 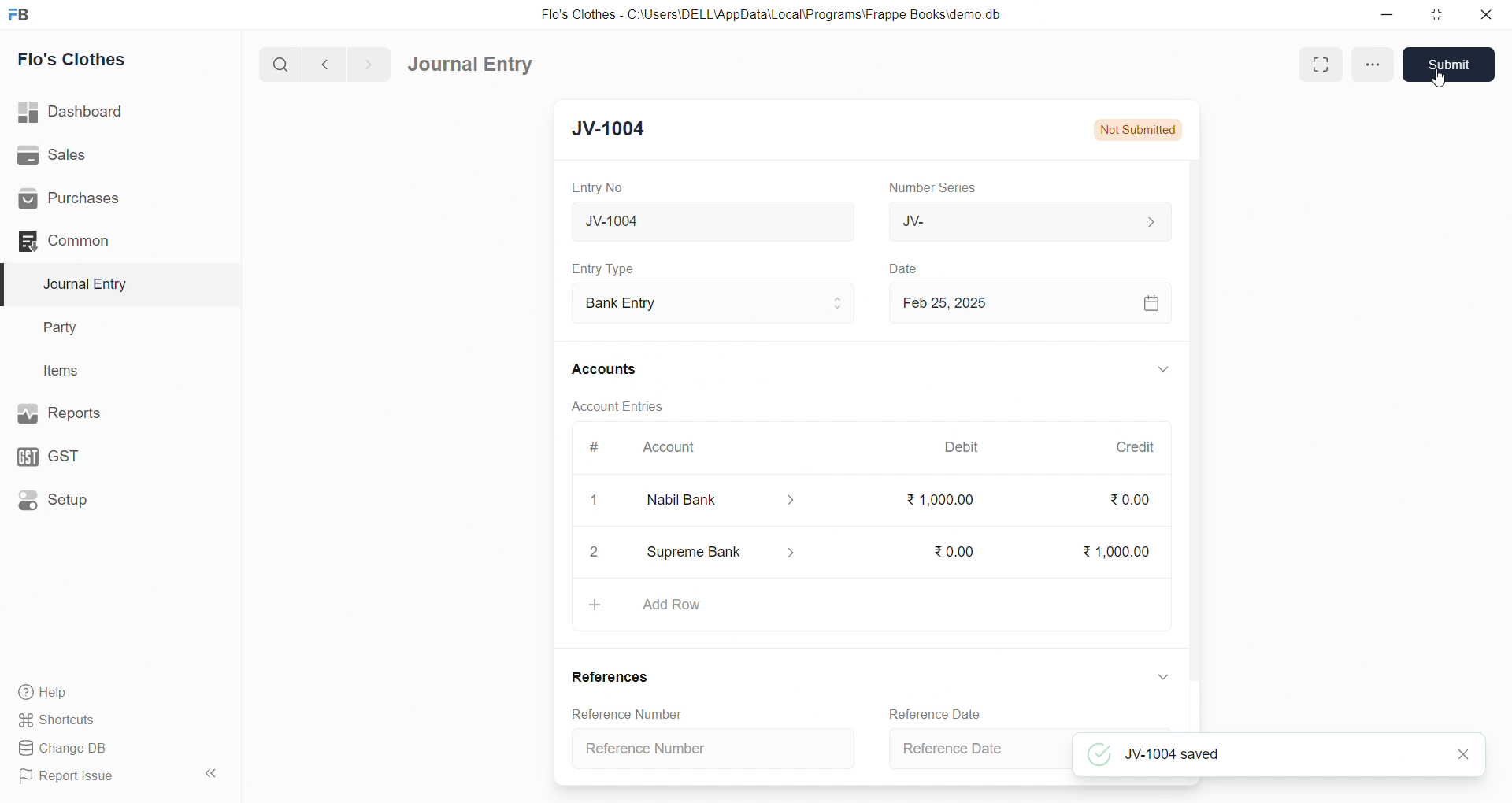 What do you see at coordinates (906, 269) in the screenshot?
I see `Date` at bounding box center [906, 269].